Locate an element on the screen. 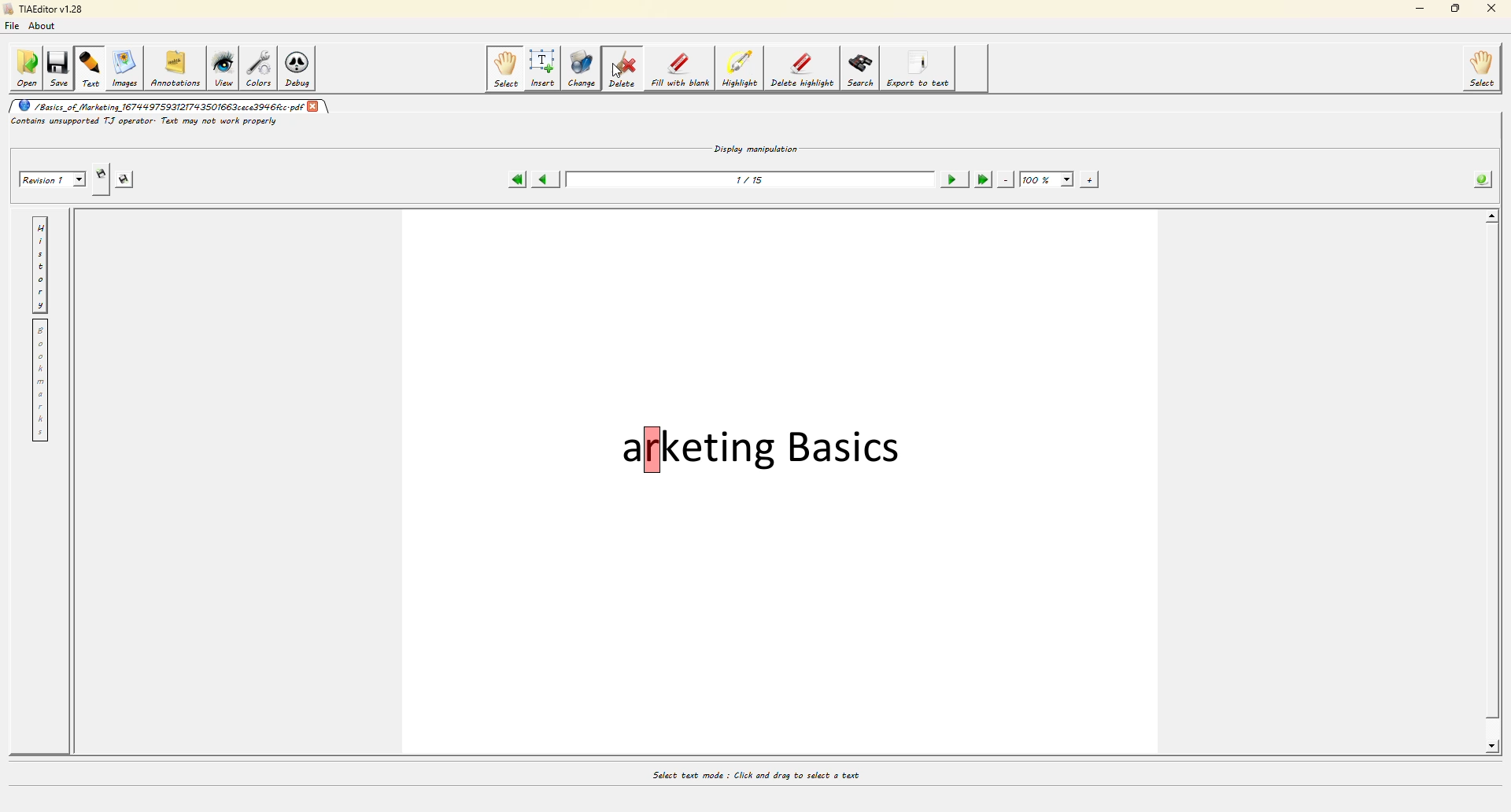 Image resolution: width=1511 pixels, height=812 pixels. view is located at coordinates (225, 68).